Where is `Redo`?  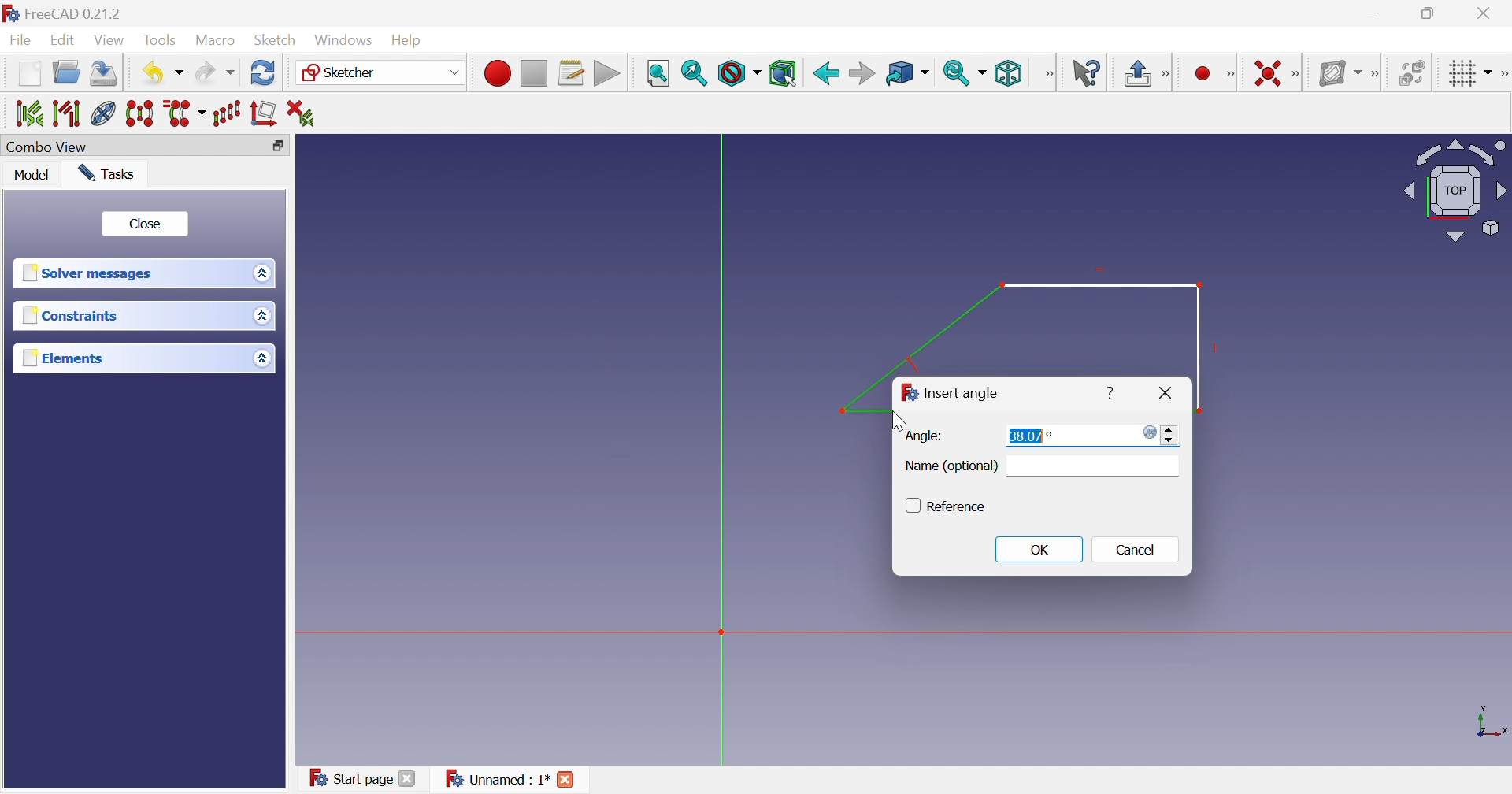 Redo is located at coordinates (213, 76).